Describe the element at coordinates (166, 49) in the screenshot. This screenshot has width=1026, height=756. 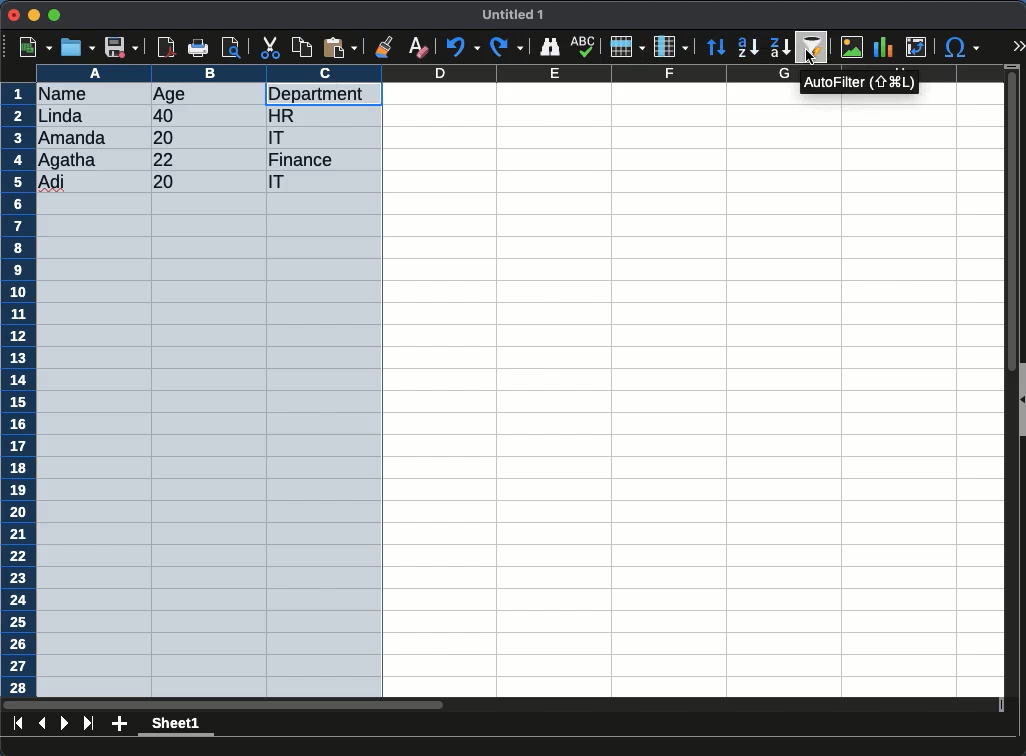
I see `pdf reader` at that location.